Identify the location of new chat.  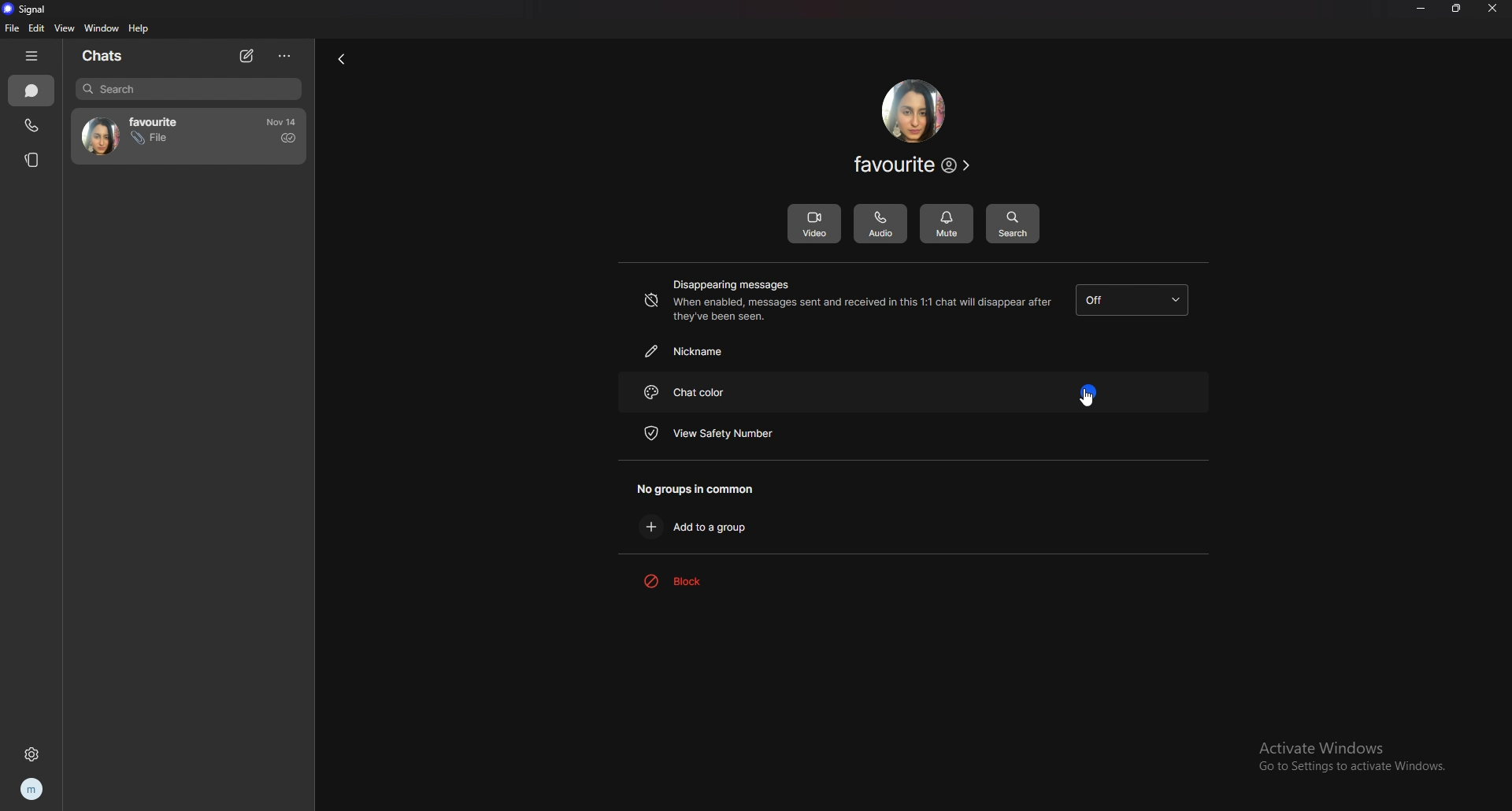
(249, 55).